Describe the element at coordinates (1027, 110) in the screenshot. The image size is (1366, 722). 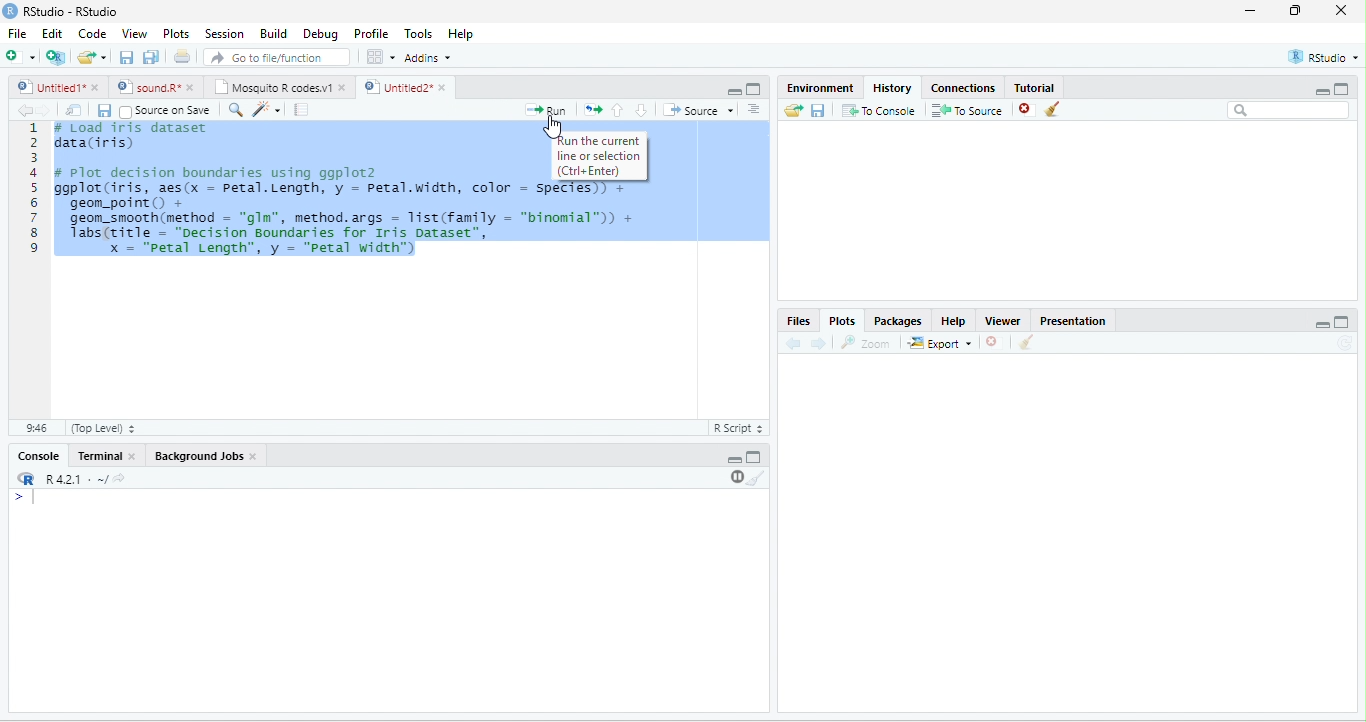
I see `close file` at that location.